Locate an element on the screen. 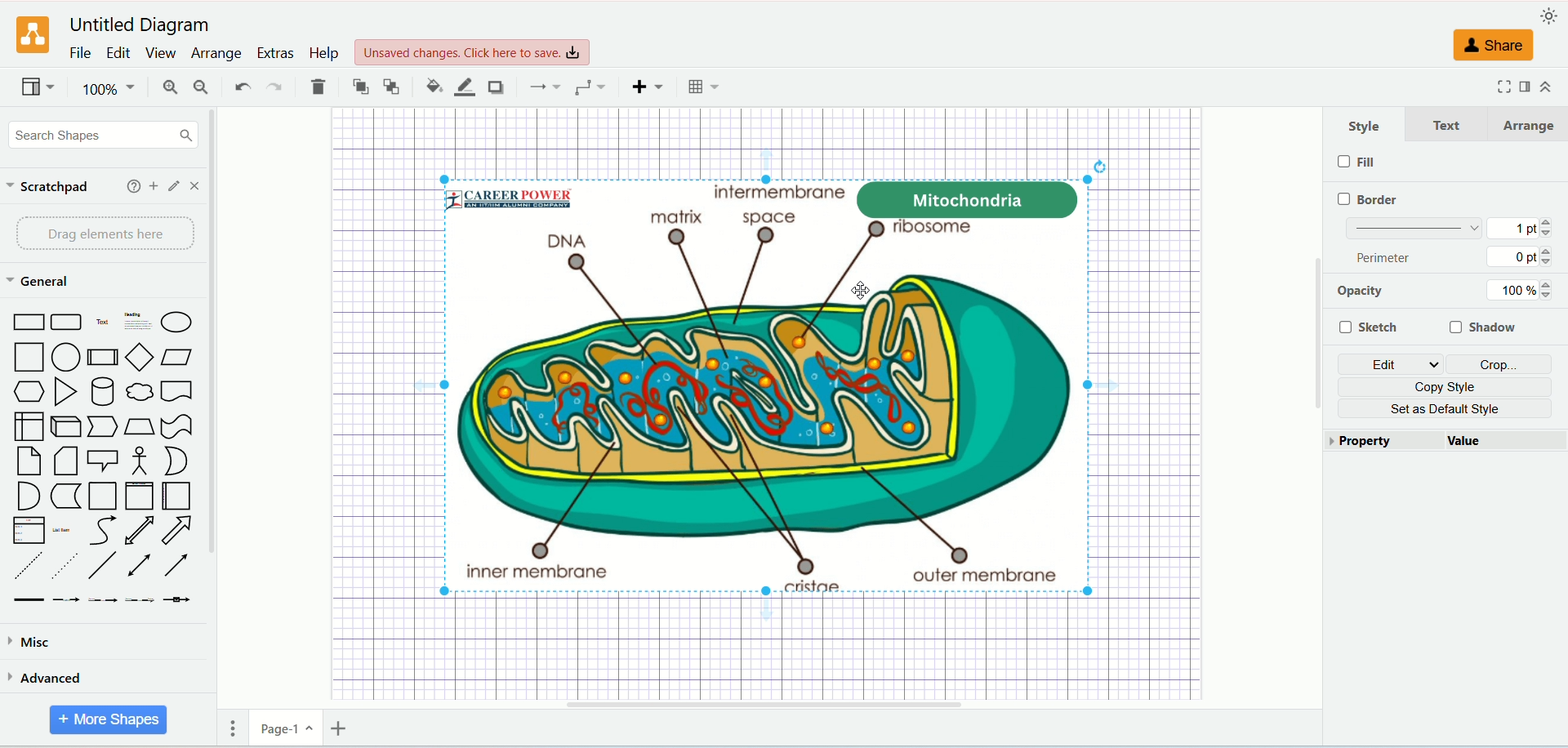 This screenshot has width=1568, height=748. more shapes is located at coordinates (109, 720).